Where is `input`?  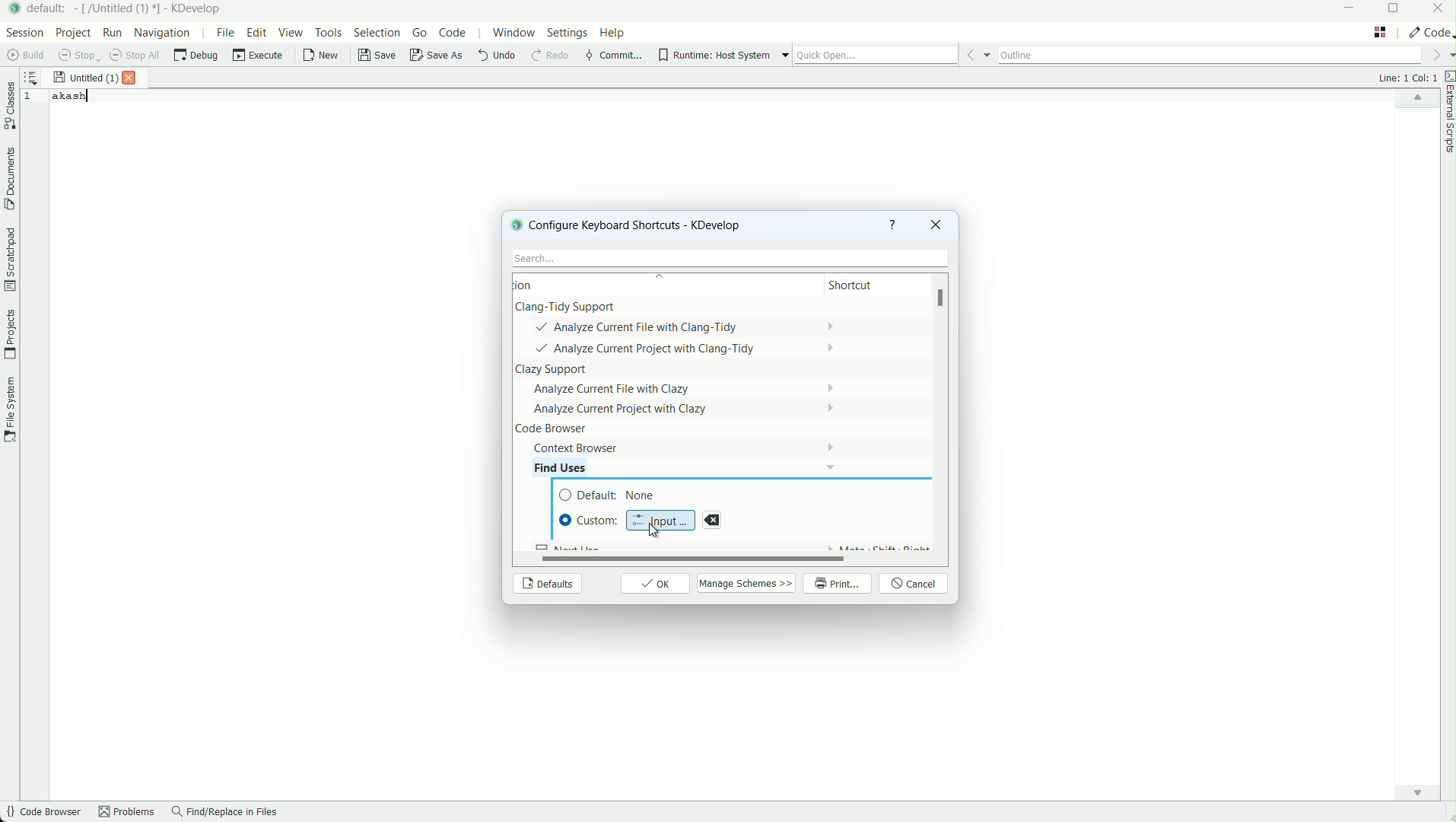
input is located at coordinates (661, 518).